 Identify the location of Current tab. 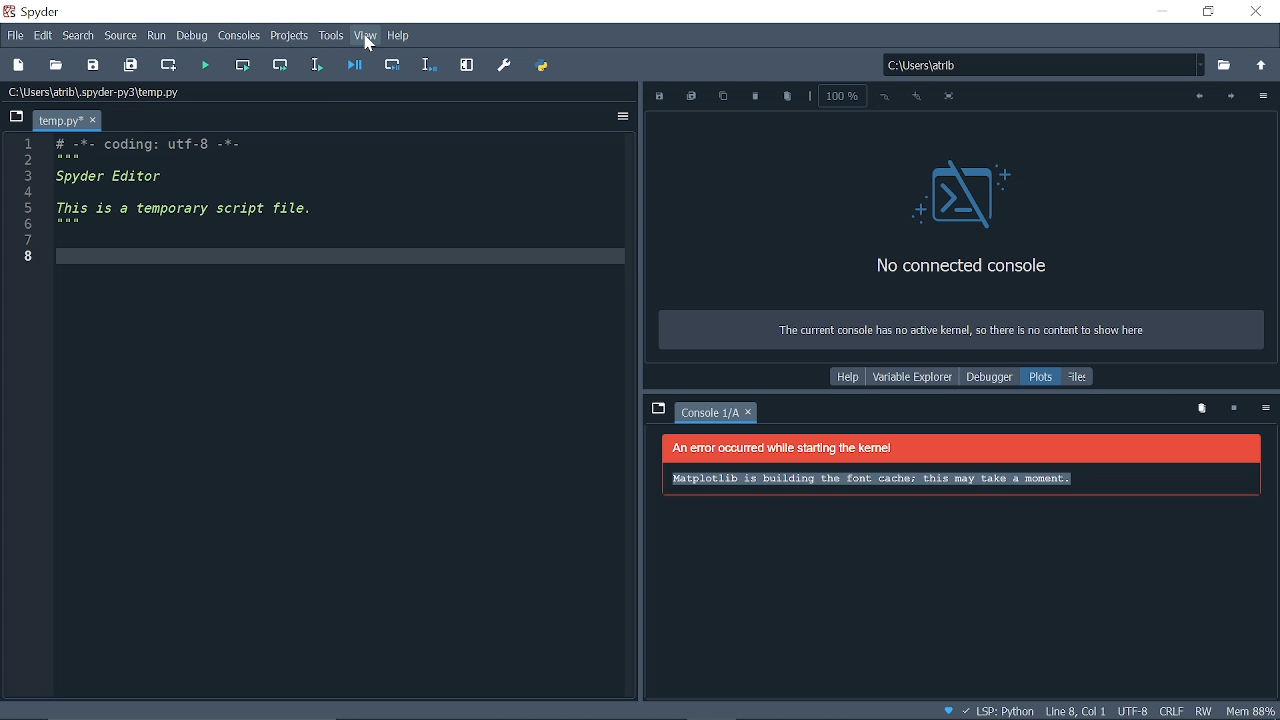
(58, 120).